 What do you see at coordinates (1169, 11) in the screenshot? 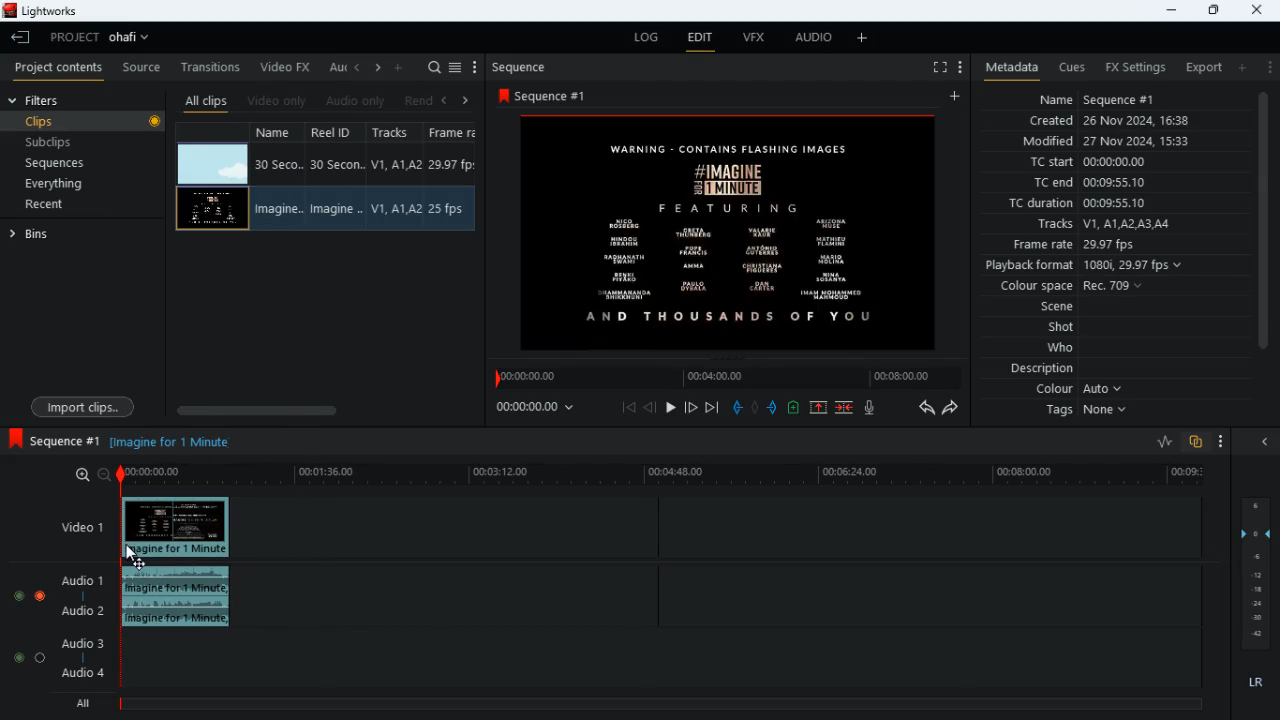
I see `minimize` at bounding box center [1169, 11].